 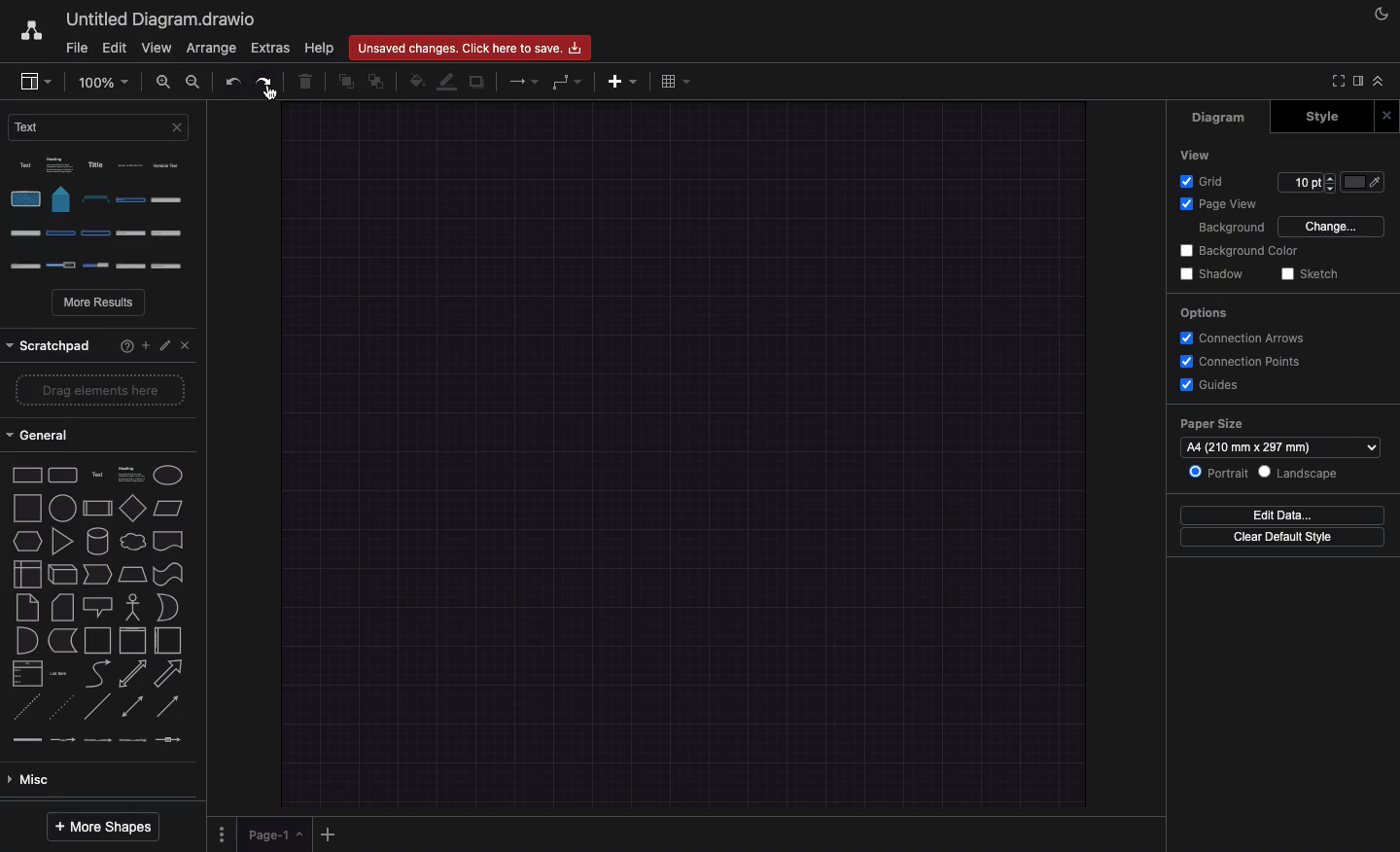 I want to click on Close, so click(x=1386, y=118).